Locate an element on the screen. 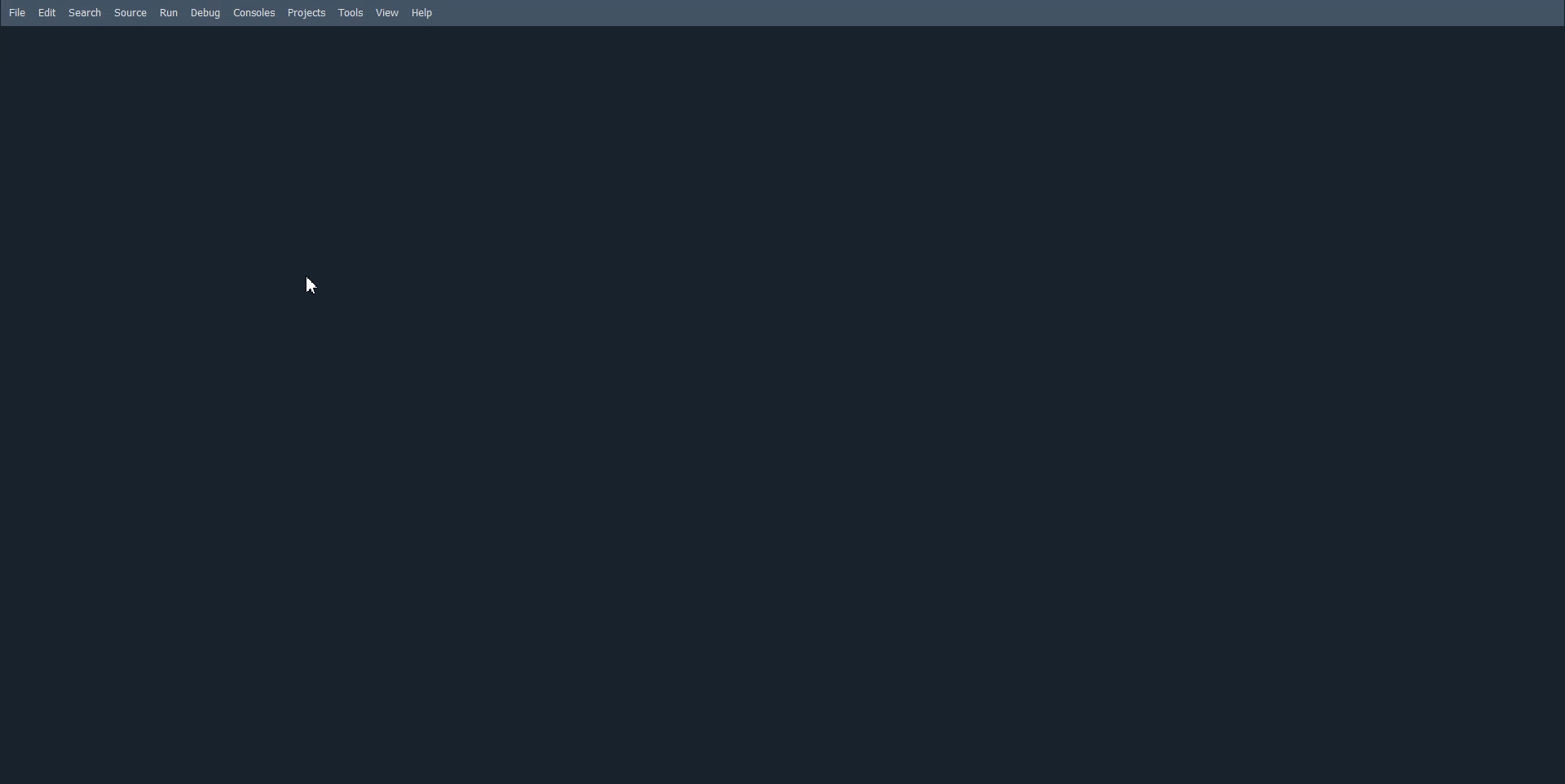 Image resolution: width=1565 pixels, height=784 pixels. Edit is located at coordinates (46, 11).